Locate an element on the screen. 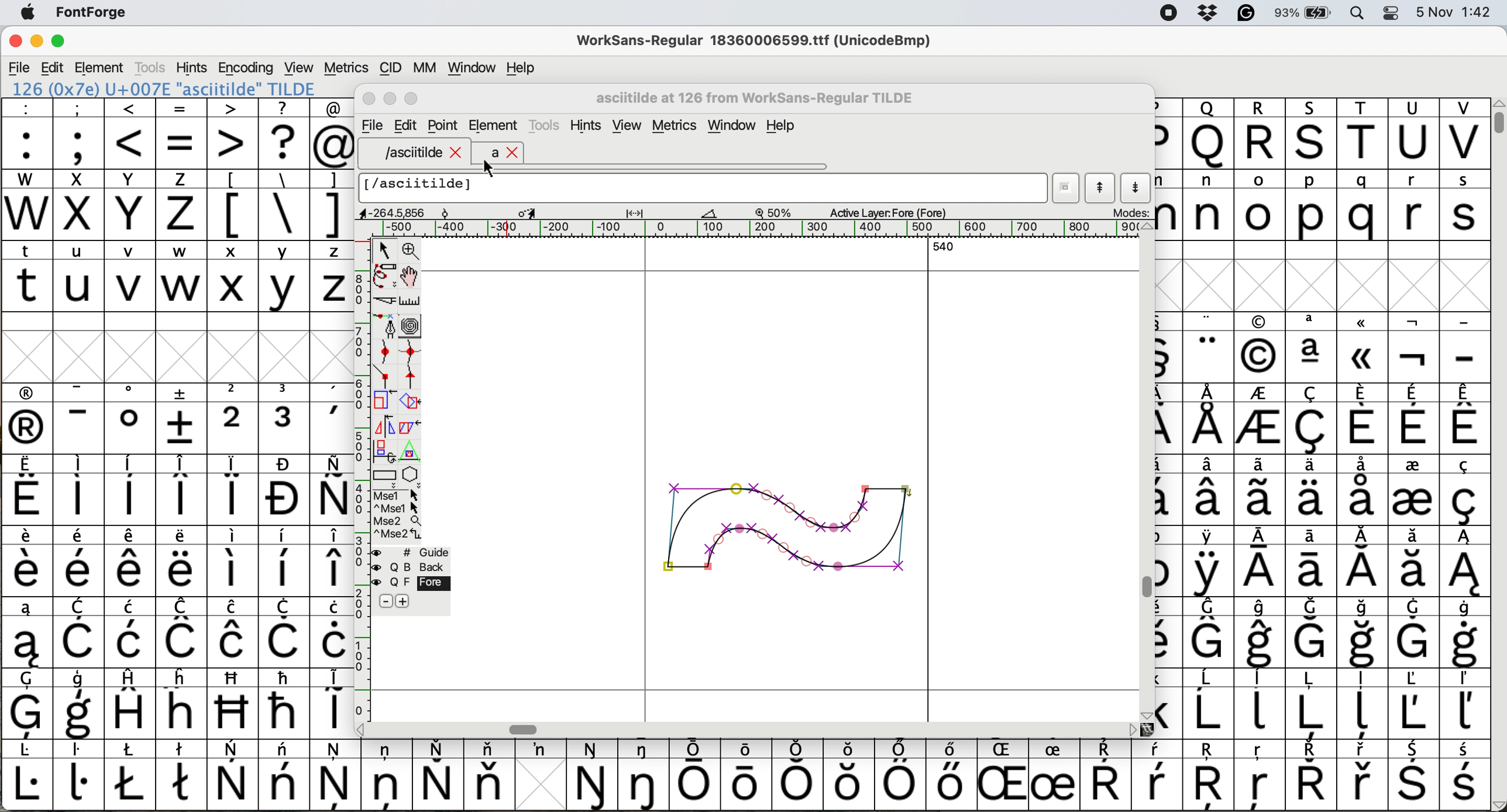 The image size is (1507, 812). symbol is located at coordinates (1261, 702).